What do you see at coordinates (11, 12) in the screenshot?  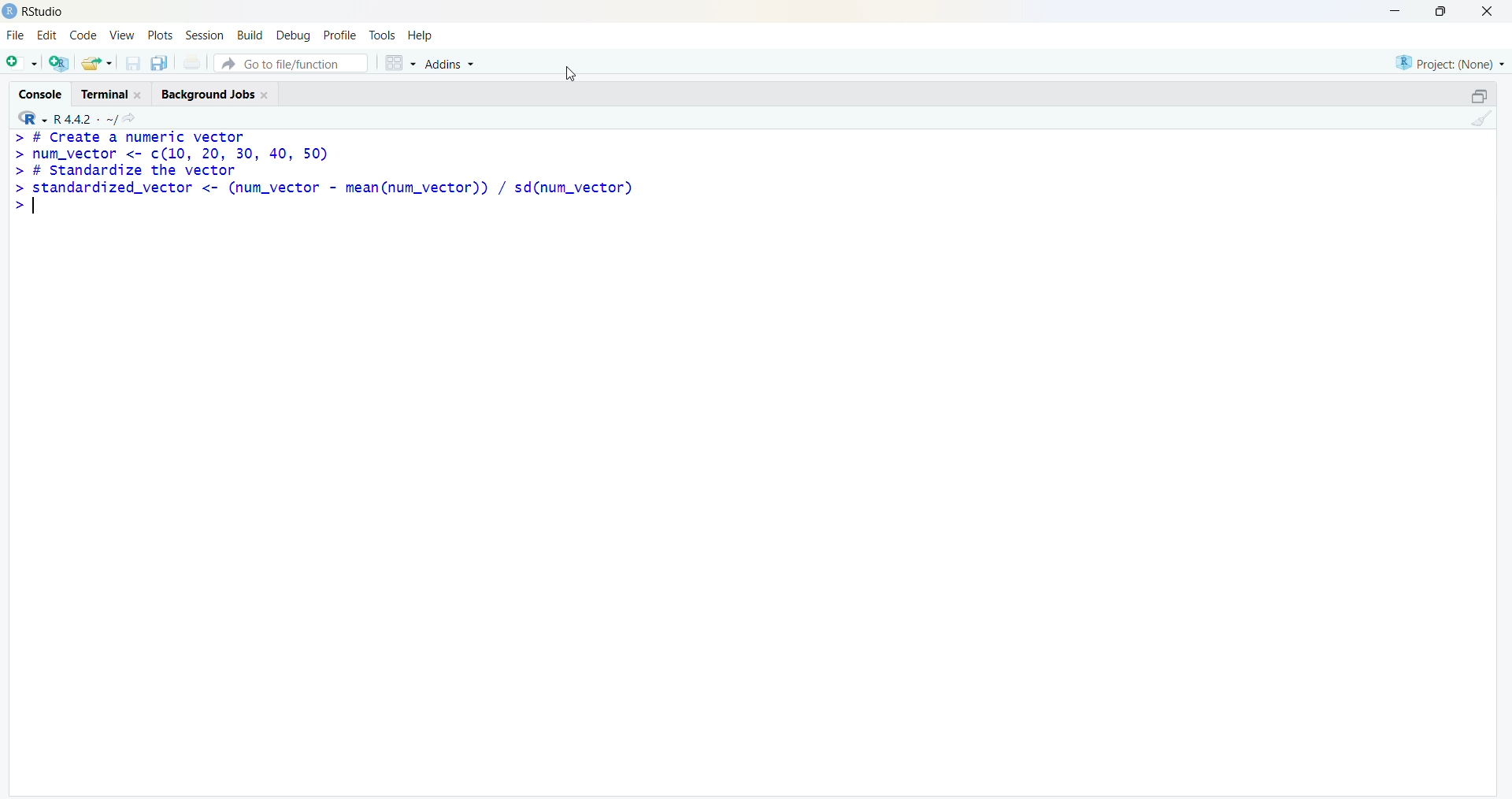 I see `logo` at bounding box center [11, 12].